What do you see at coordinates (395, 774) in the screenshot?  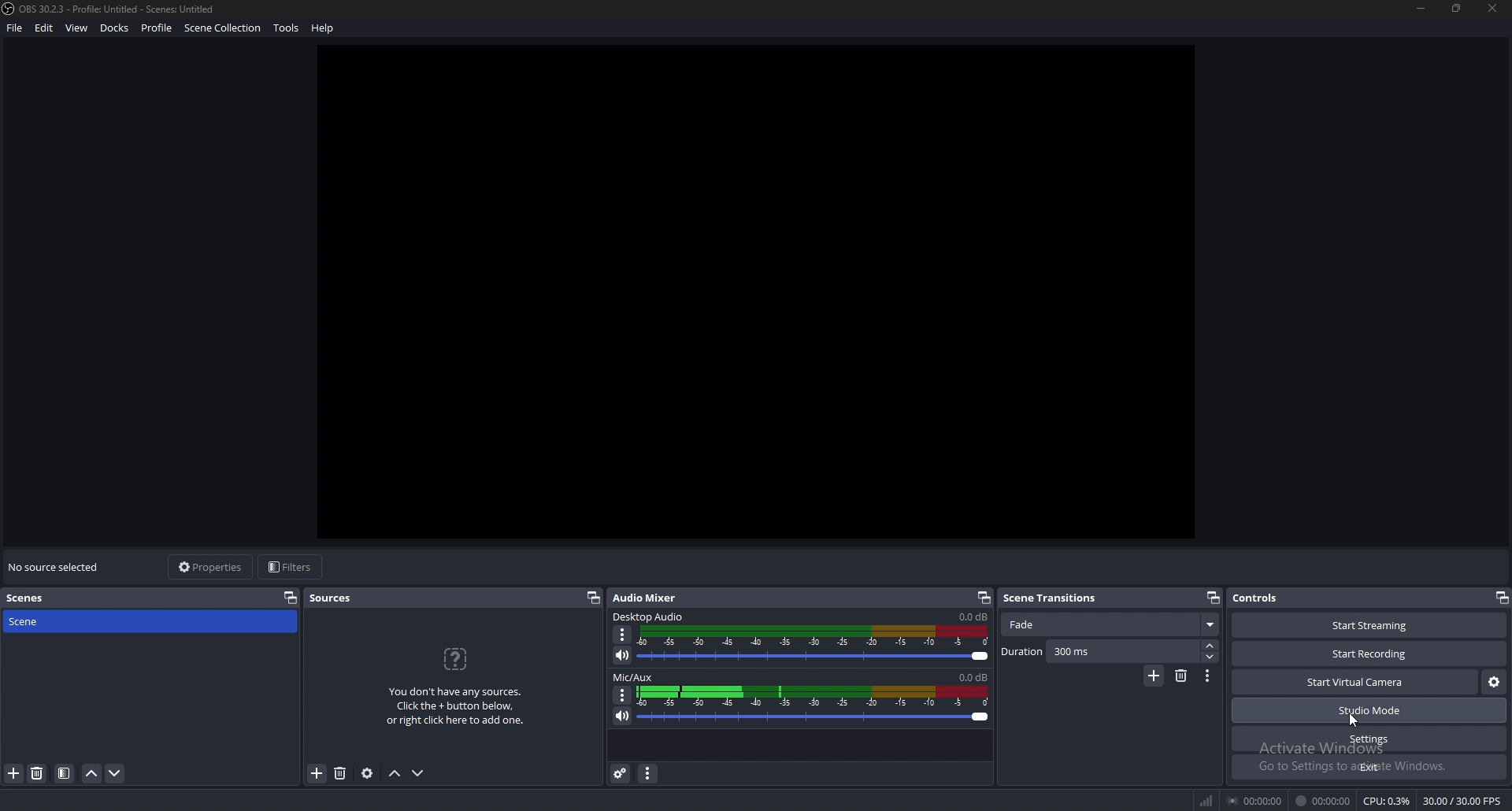 I see `Move sources up` at bounding box center [395, 774].